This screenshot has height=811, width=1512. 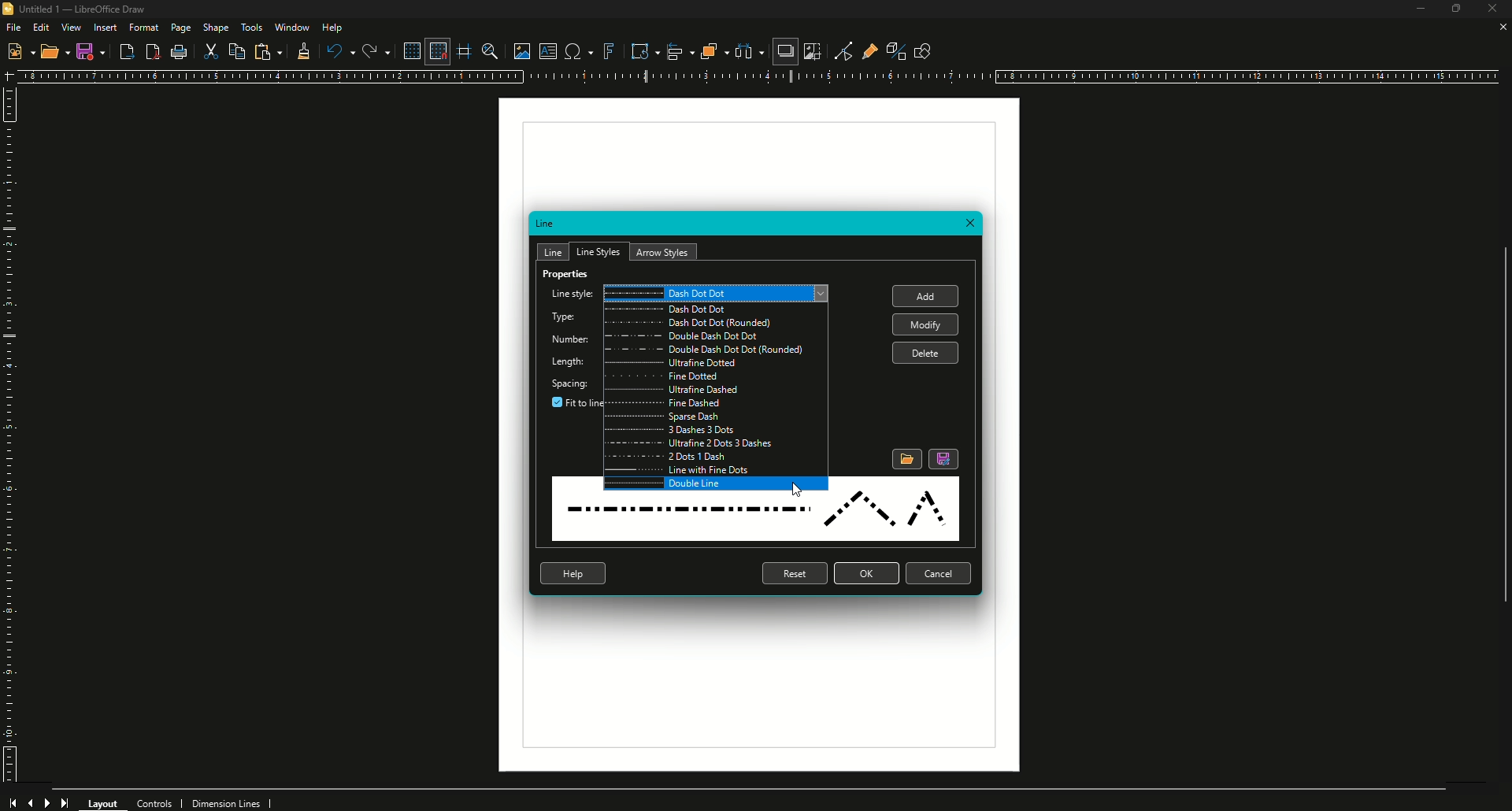 What do you see at coordinates (598, 250) in the screenshot?
I see `Line Styles` at bounding box center [598, 250].